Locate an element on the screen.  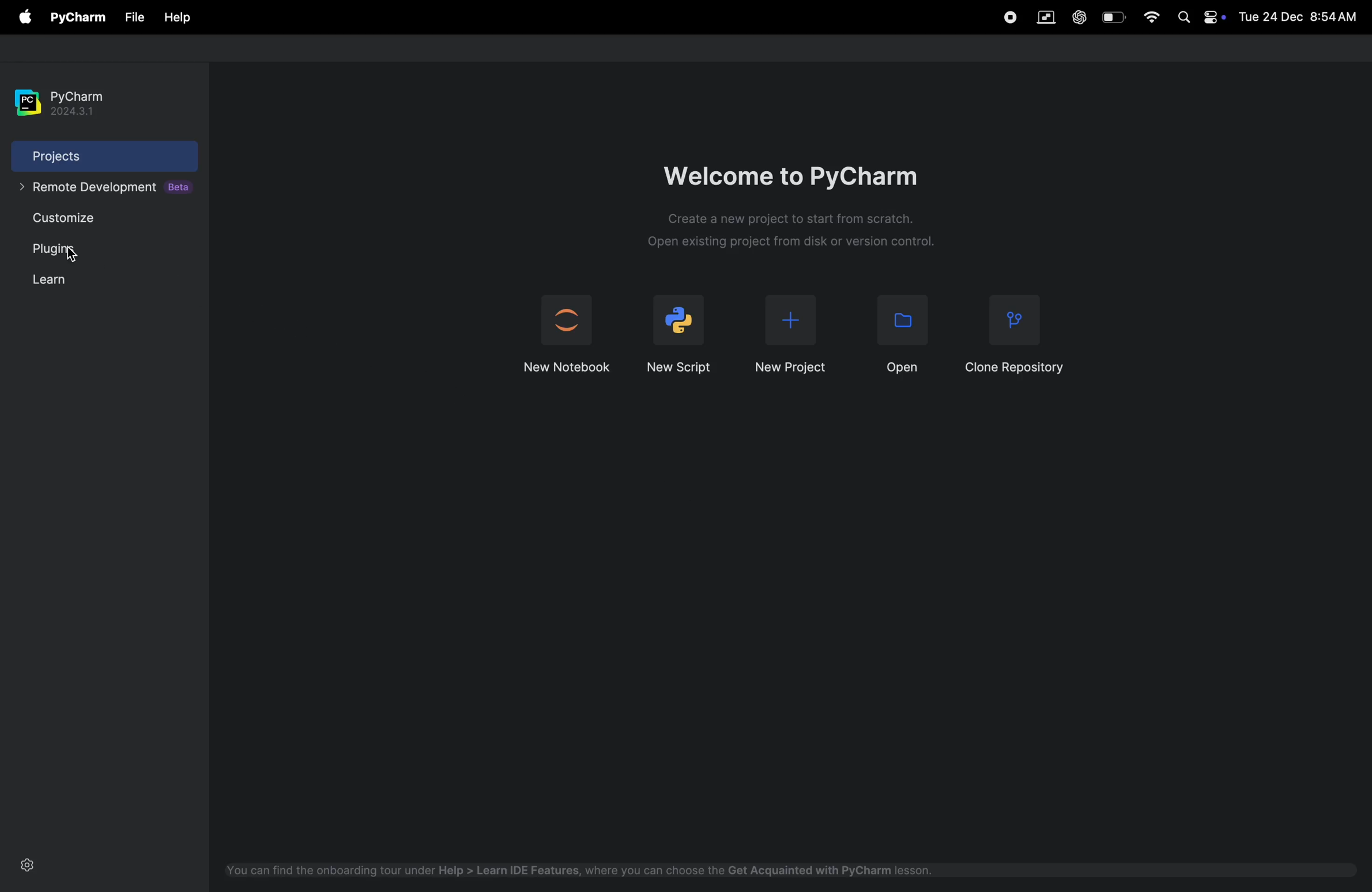
projects is located at coordinates (85, 157).